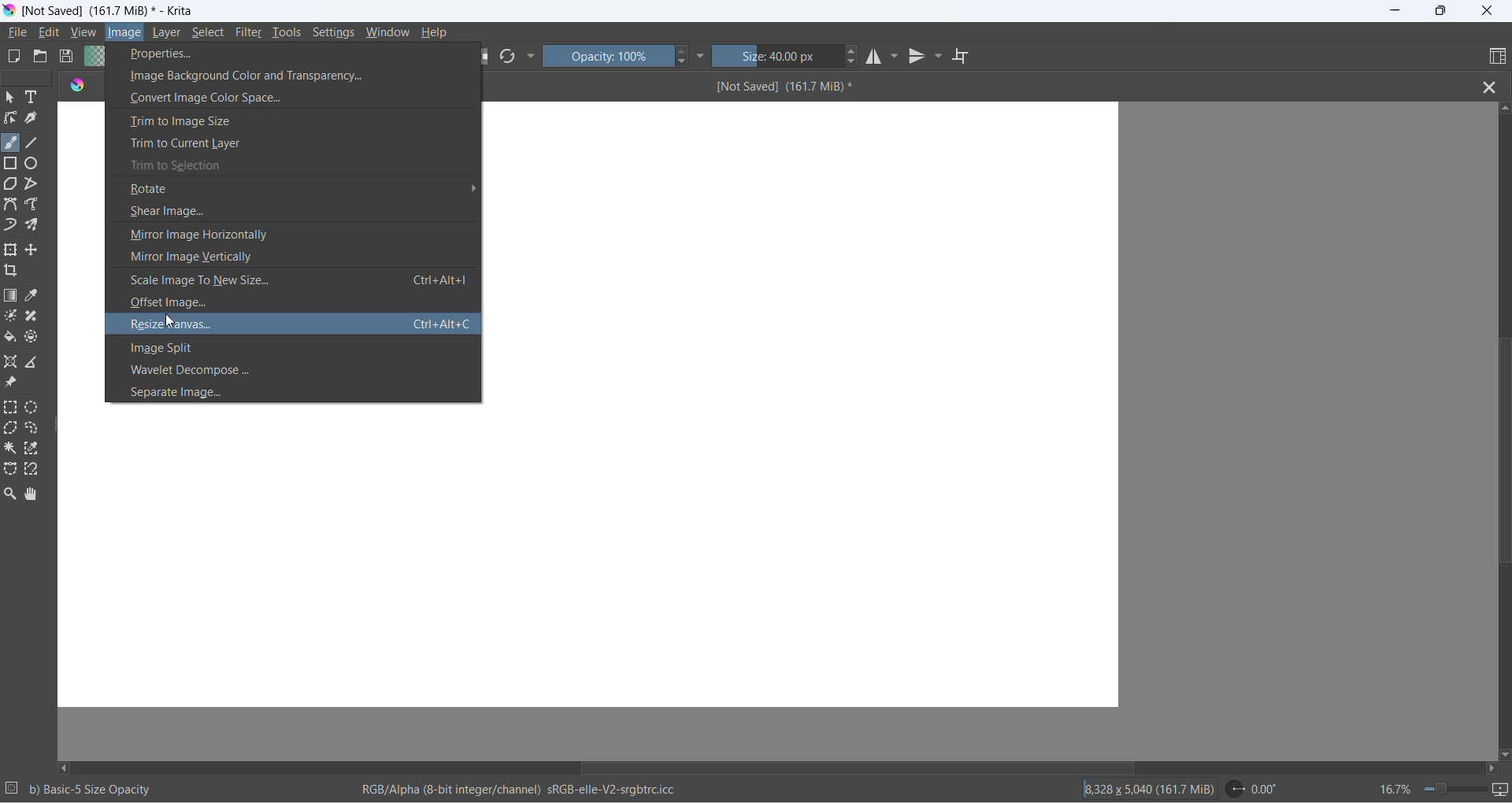 This screenshot has width=1512, height=803. What do you see at coordinates (58, 428) in the screenshot?
I see `resize` at bounding box center [58, 428].